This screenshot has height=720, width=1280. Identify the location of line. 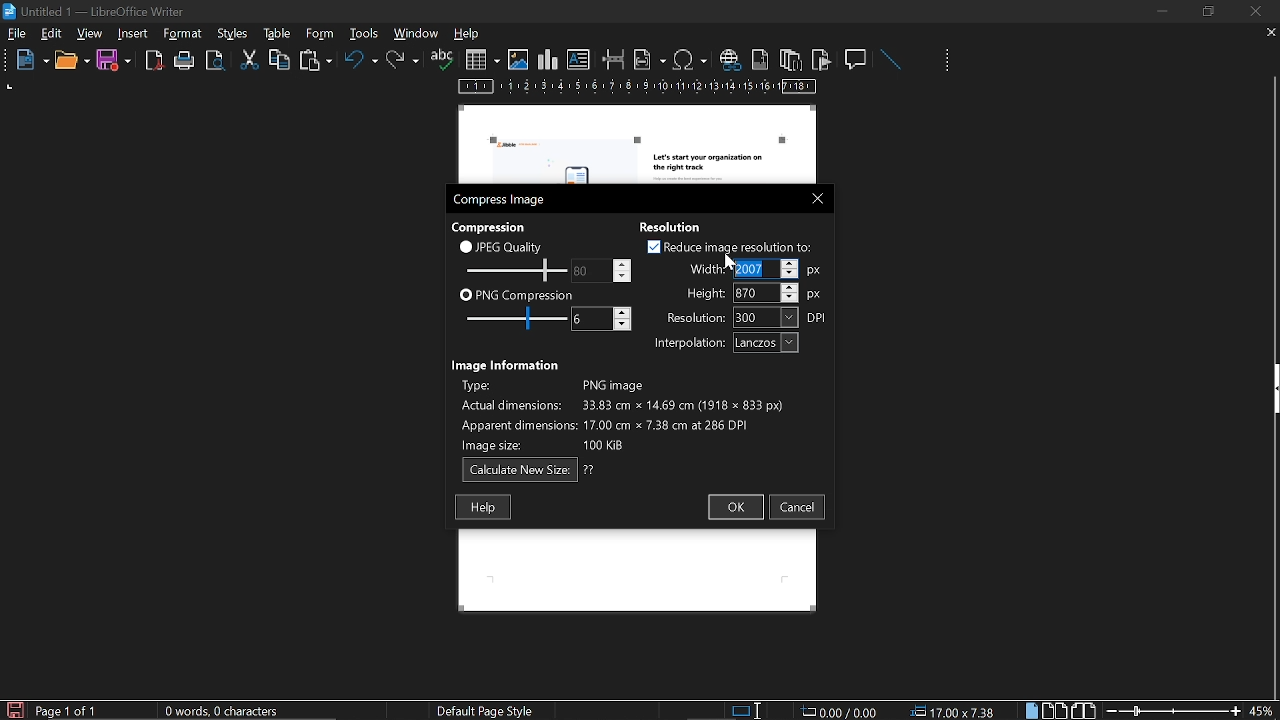
(890, 60).